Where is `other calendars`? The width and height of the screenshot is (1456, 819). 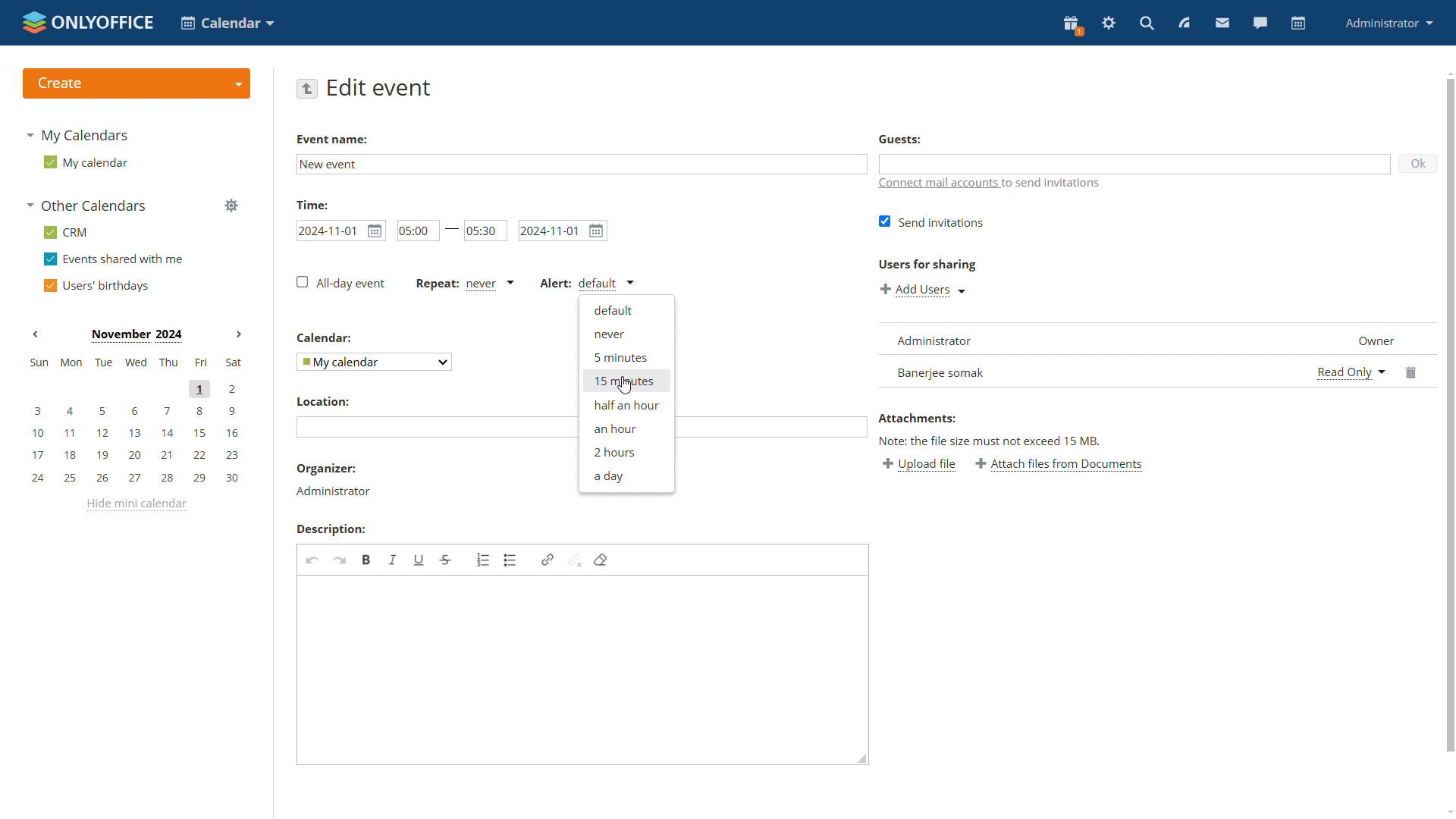 other calendars is located at coordinates (86, 206).